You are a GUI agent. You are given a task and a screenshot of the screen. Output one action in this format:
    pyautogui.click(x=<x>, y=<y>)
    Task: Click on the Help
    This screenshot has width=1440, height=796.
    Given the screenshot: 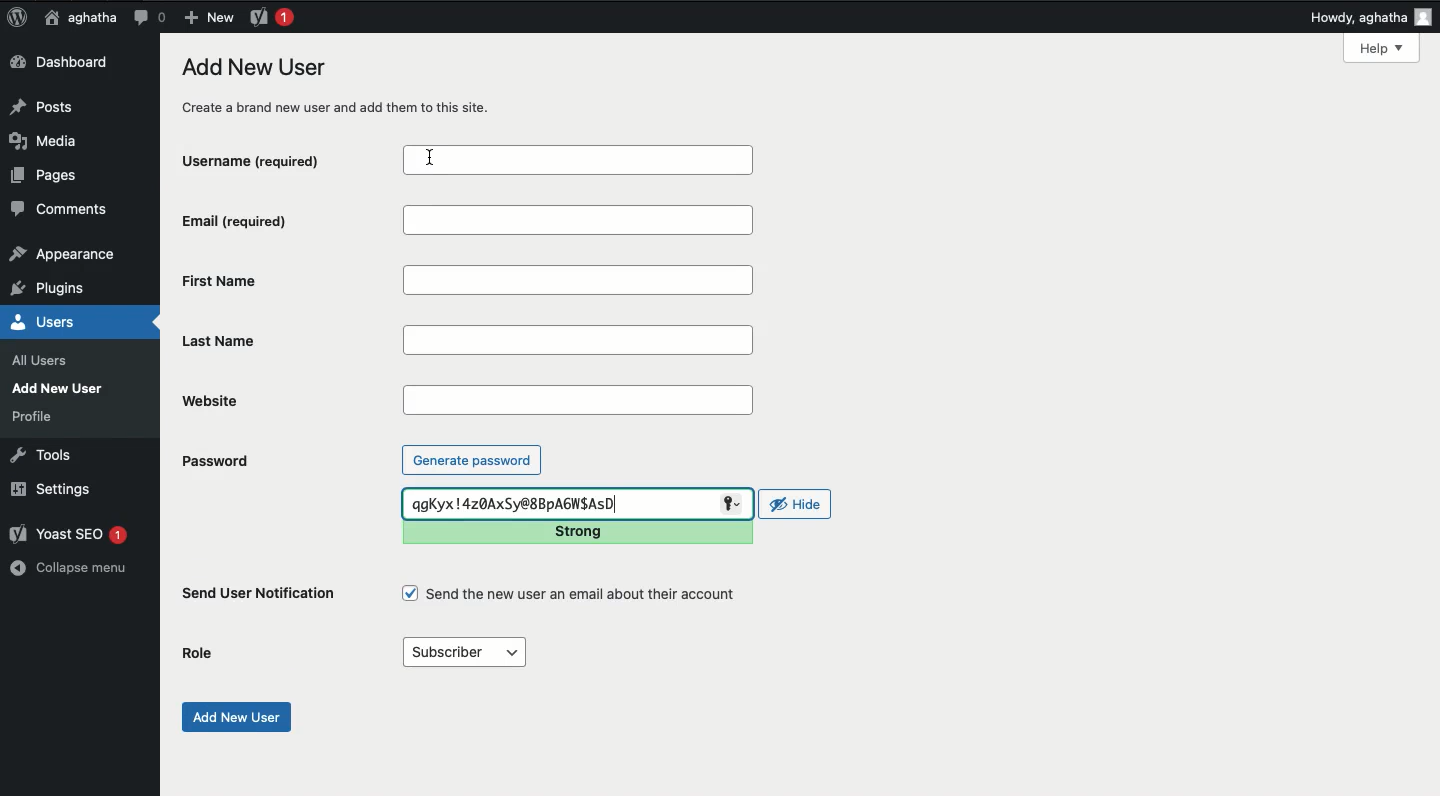 What is the action you would take?
    pyautogui.click(x=1381, y=48)
    